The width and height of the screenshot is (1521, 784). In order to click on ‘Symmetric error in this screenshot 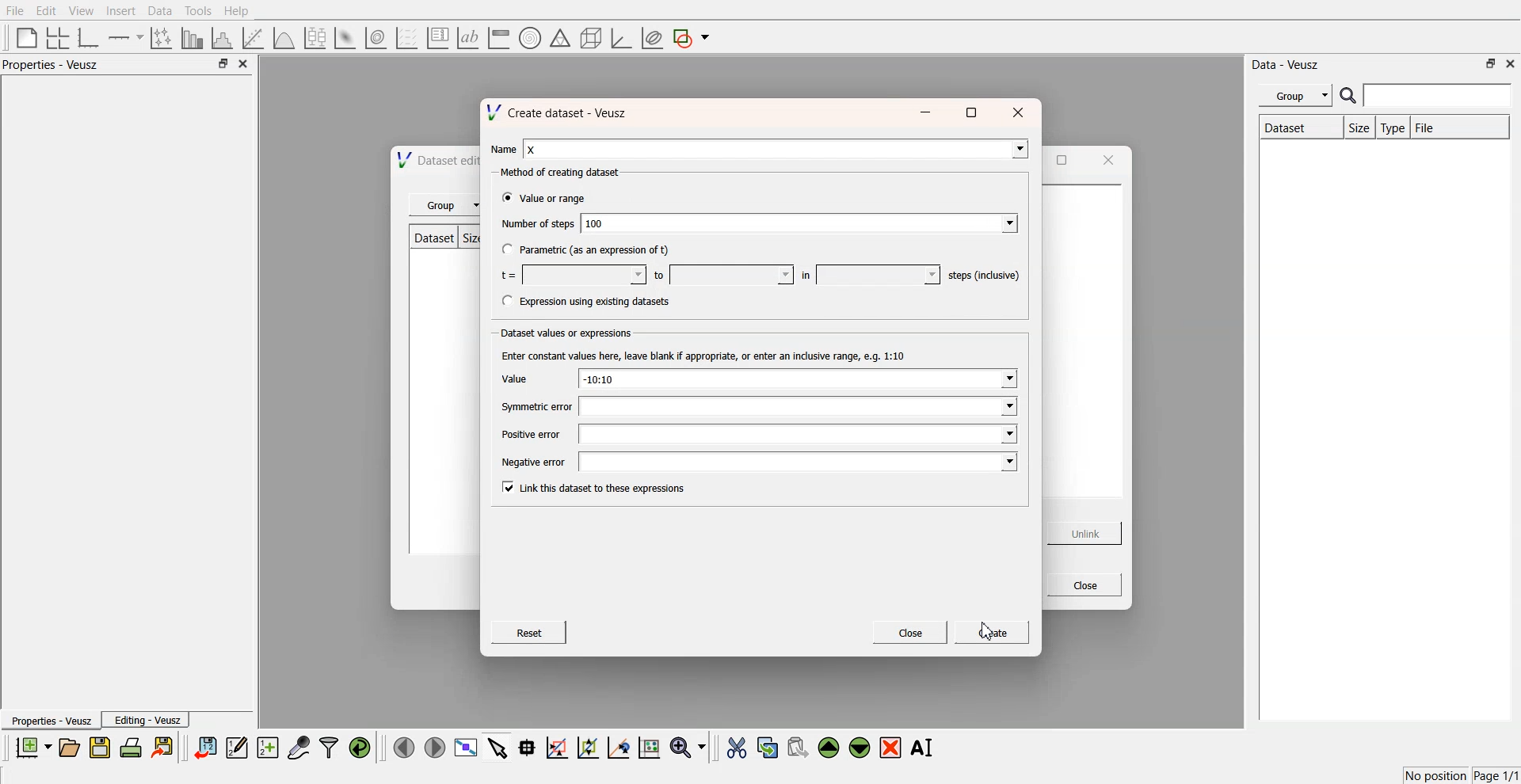, I will do `click(536, 408)`.